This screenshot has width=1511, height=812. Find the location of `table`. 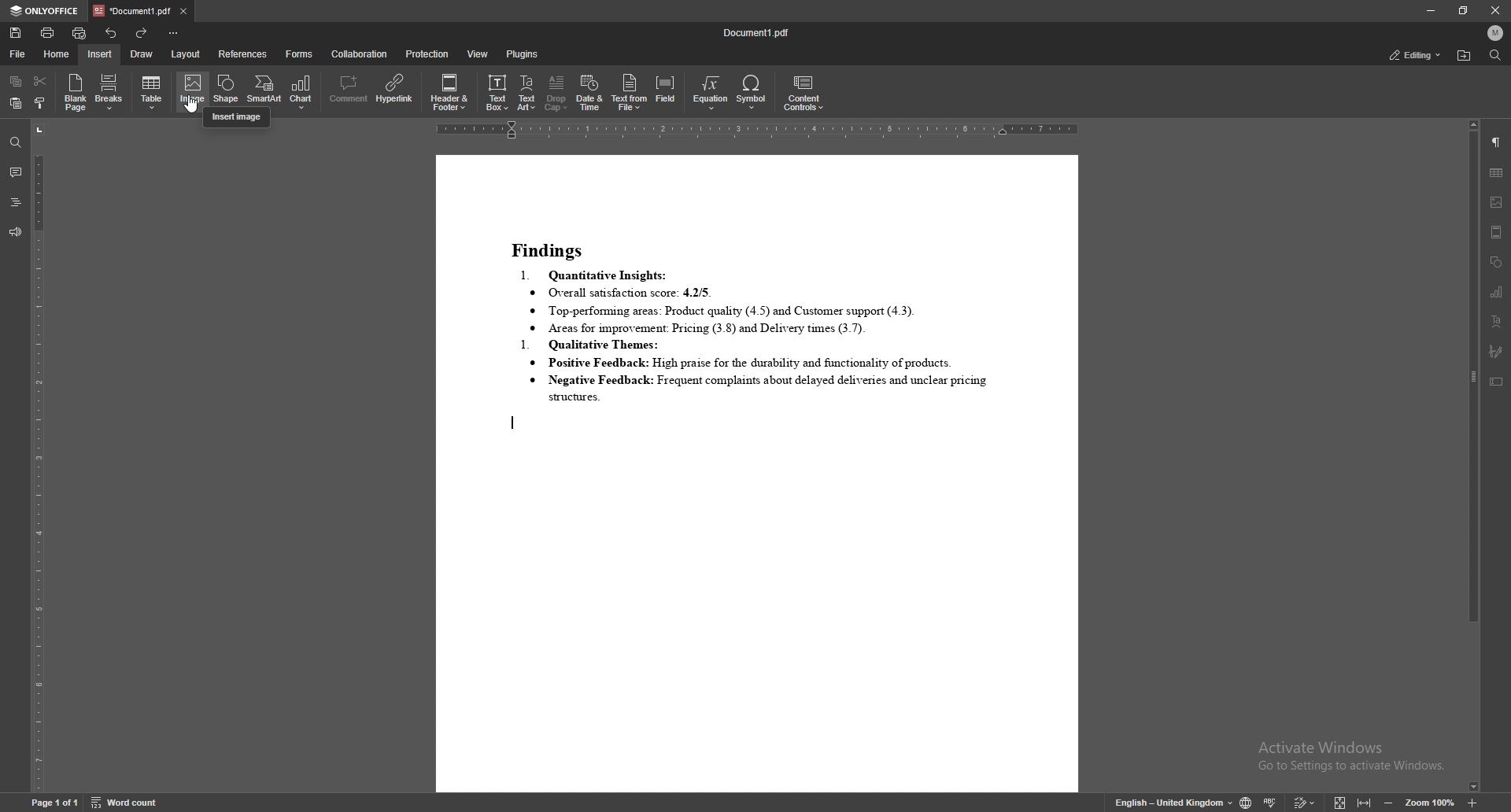

table is located at coordinates (153, 92).